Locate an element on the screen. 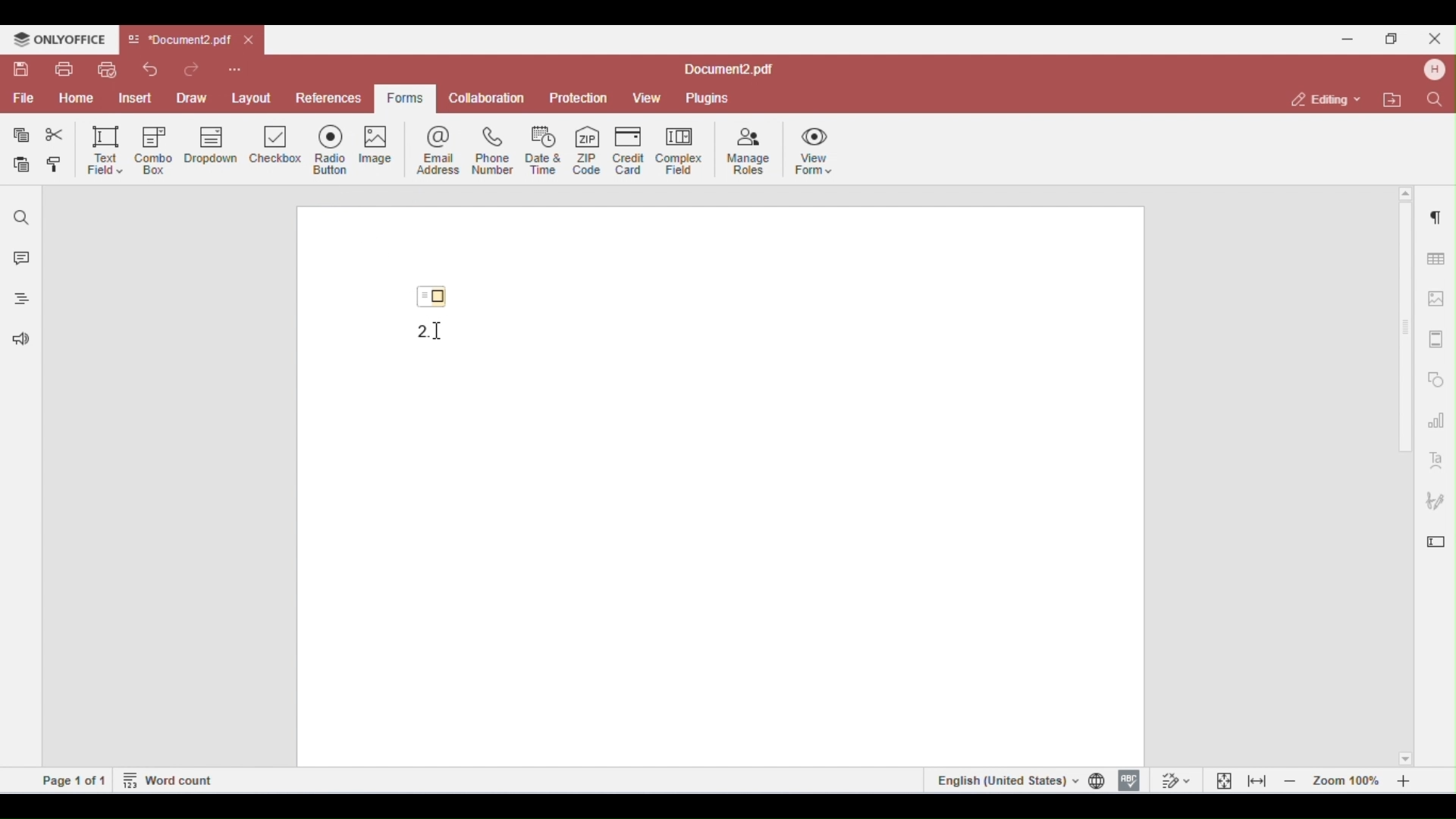 Image resolution: width=1456 pixels, height=819 pixels. close is located at coordinates (250, 41).